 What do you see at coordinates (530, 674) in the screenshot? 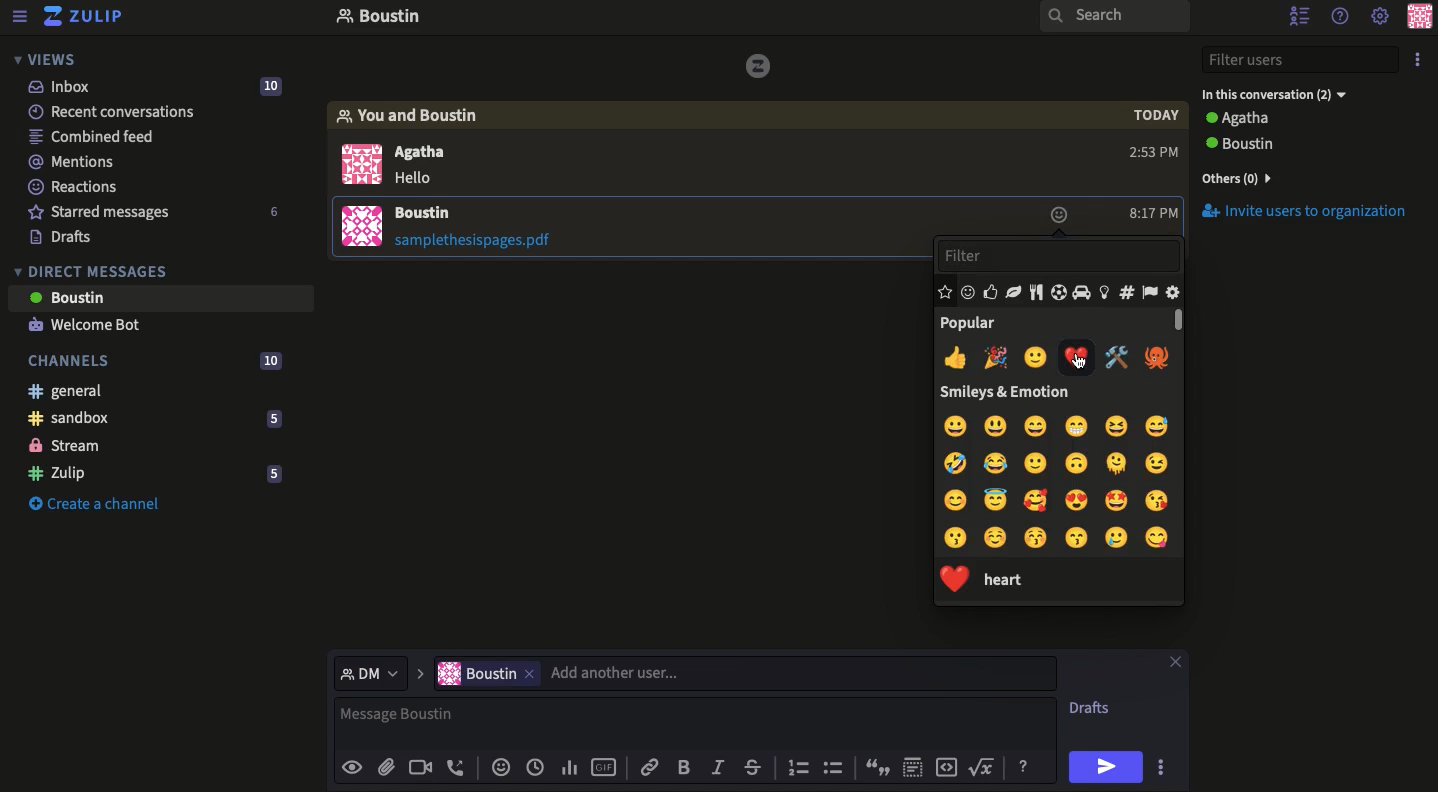
I see `remove` at bounding box center [530, 674].